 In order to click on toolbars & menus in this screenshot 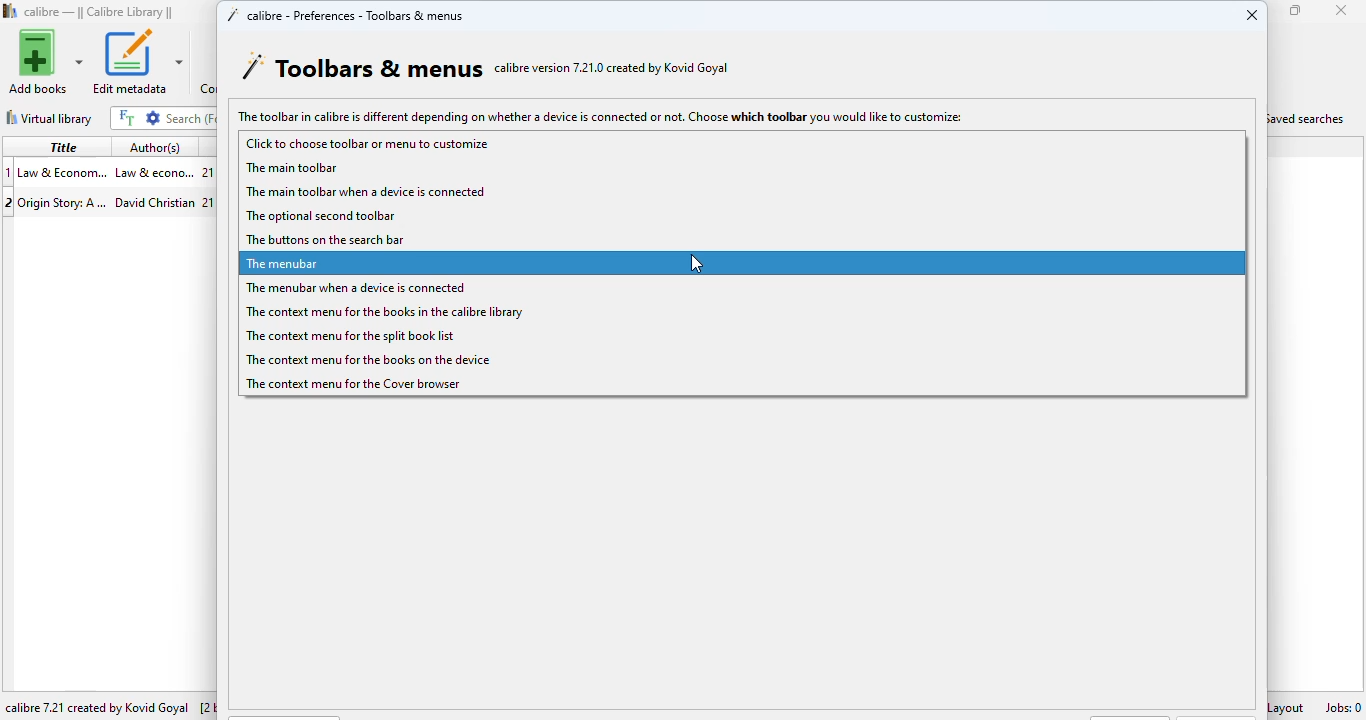, I will do `click(362, 67)`.